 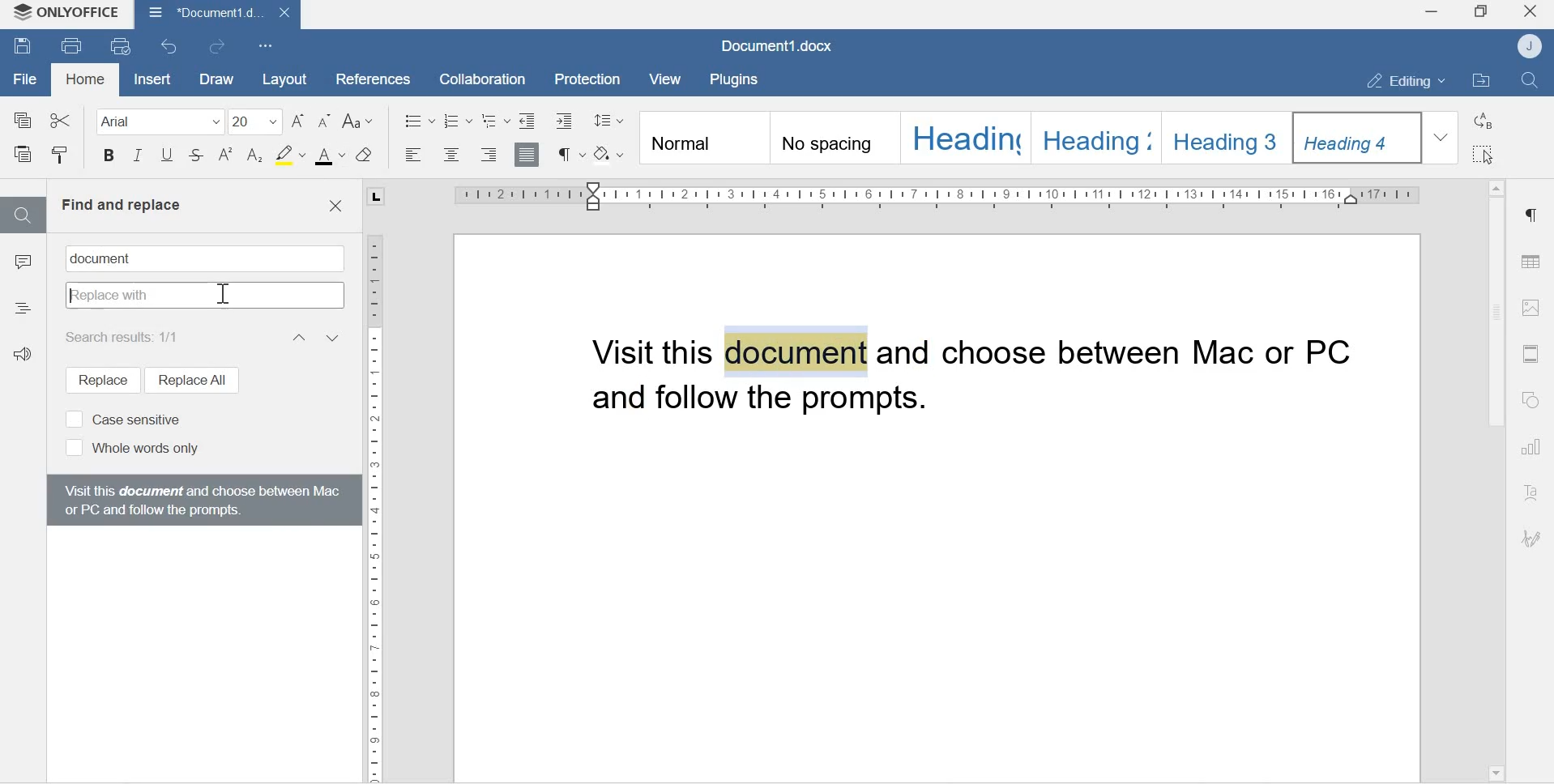 What do you see at coordinates (570, 154) in the screenshot?
I see `Non printing characters` at bounding box center [570, 154].